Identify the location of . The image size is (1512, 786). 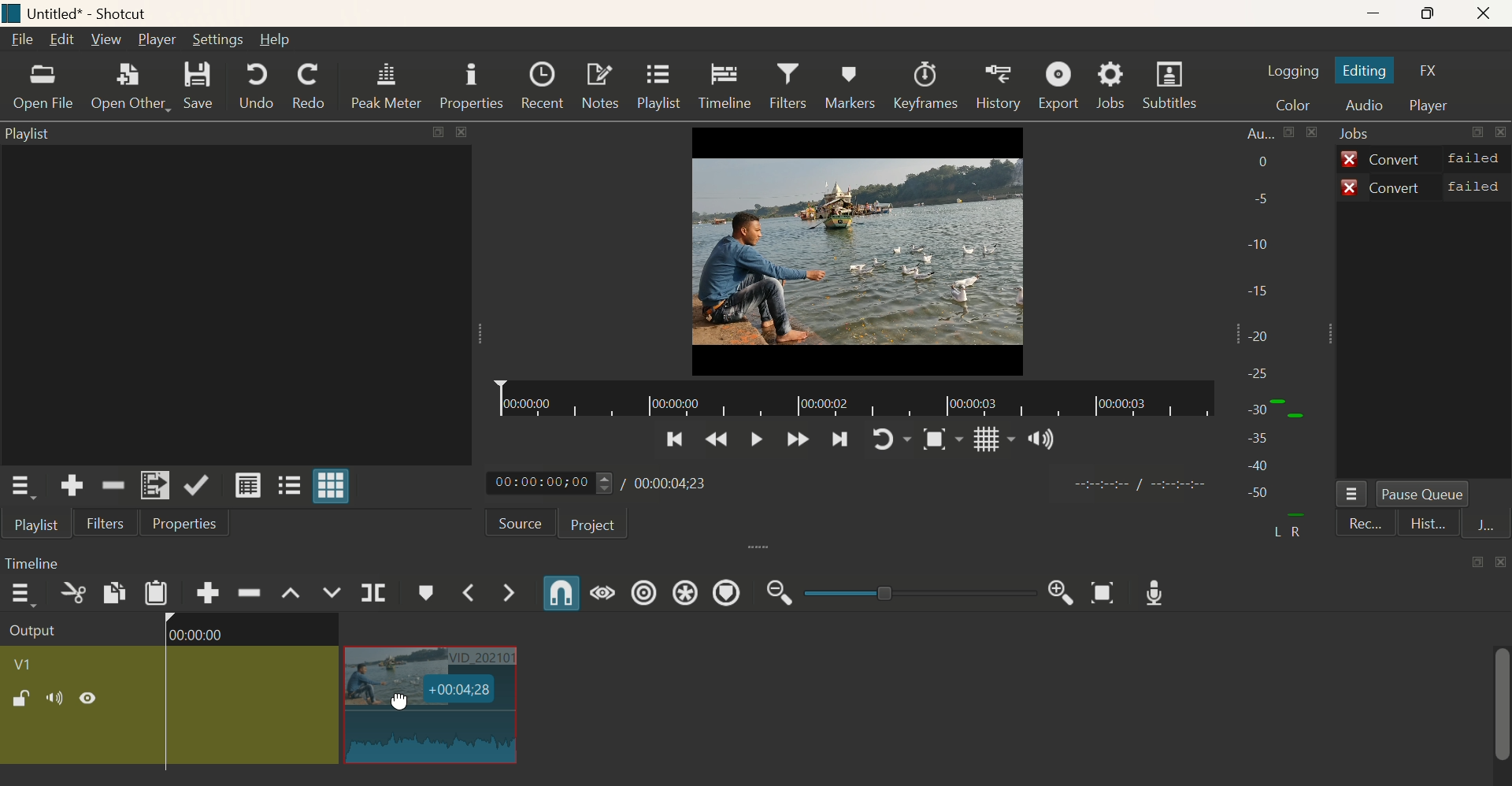
(780, 591).